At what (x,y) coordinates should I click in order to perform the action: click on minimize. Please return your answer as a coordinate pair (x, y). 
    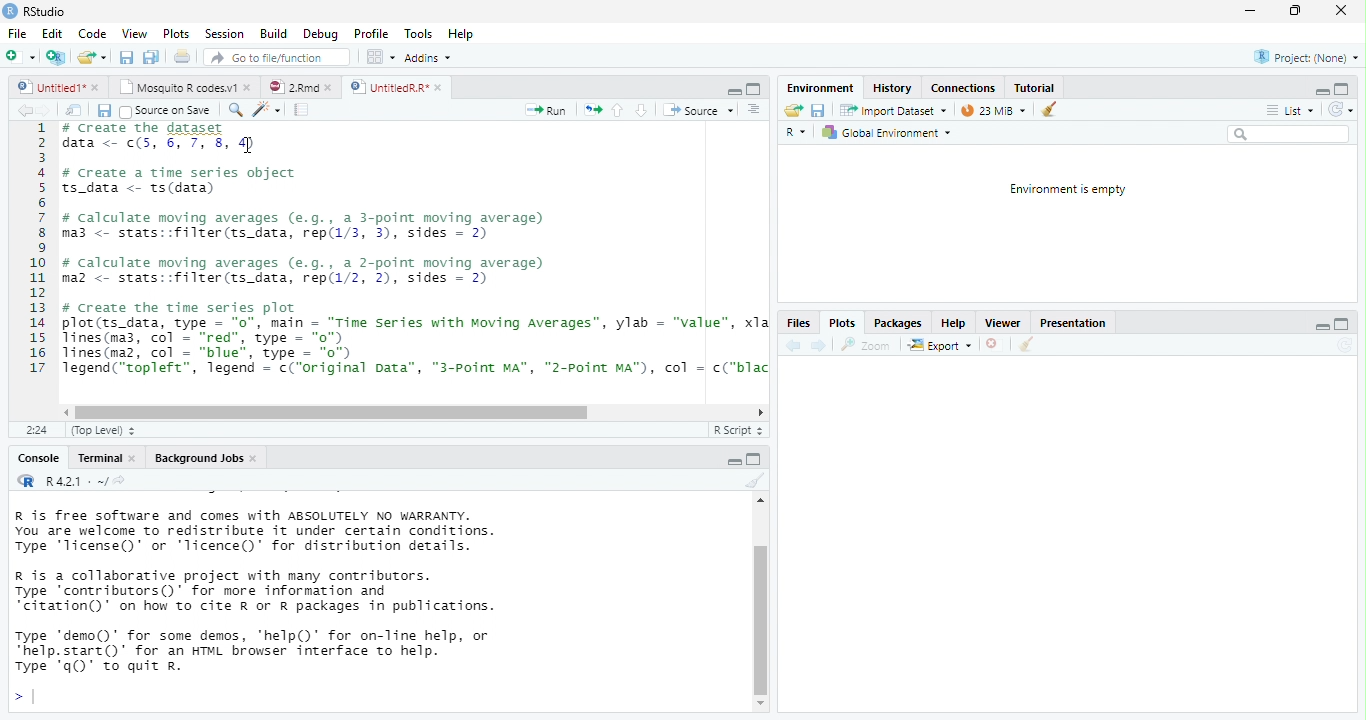
    Looking at the image, I should click on (1323, 329).